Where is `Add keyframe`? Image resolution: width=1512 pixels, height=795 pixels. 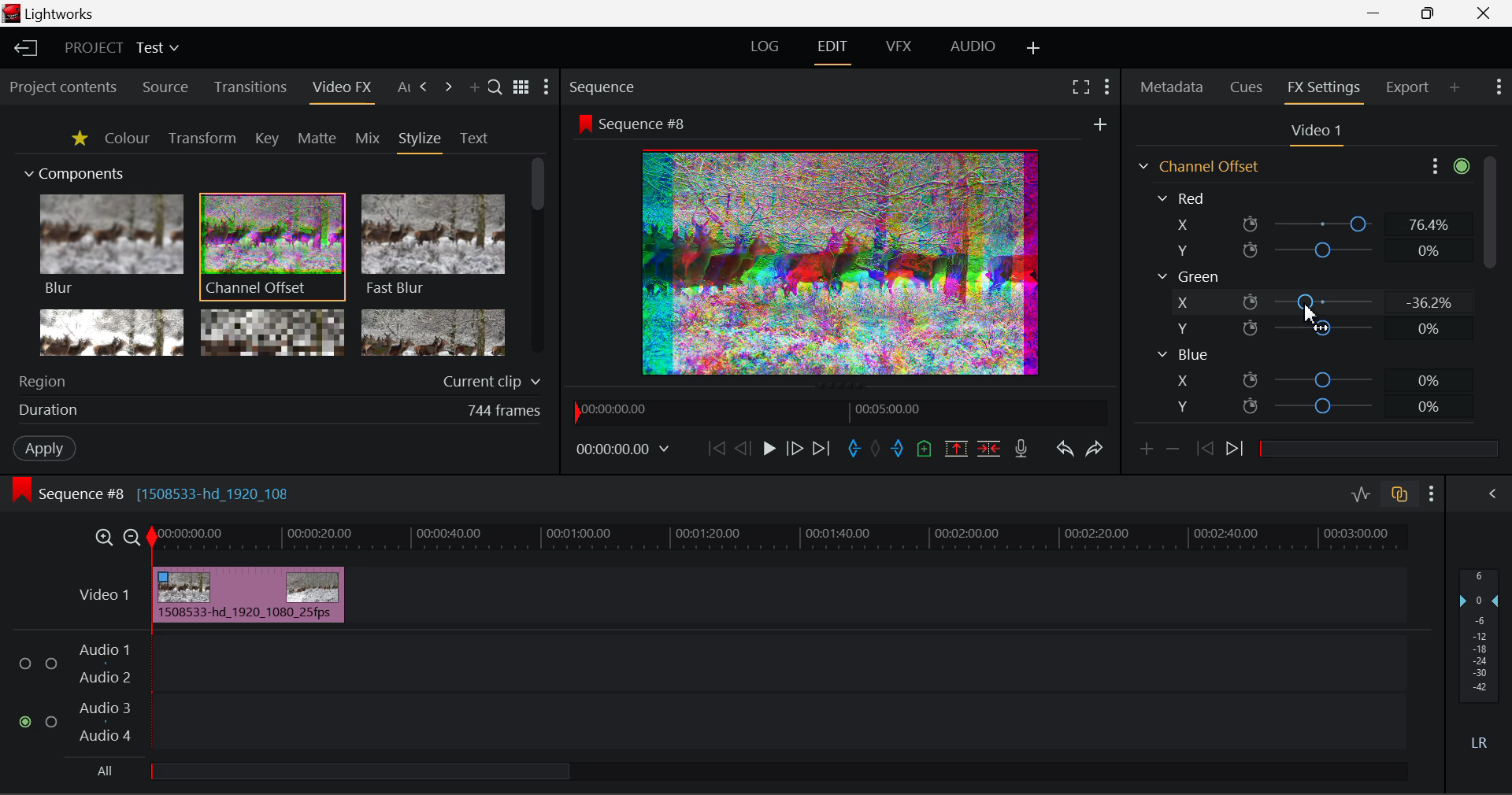 Add keyframe is located at coordinates (1145, 453).